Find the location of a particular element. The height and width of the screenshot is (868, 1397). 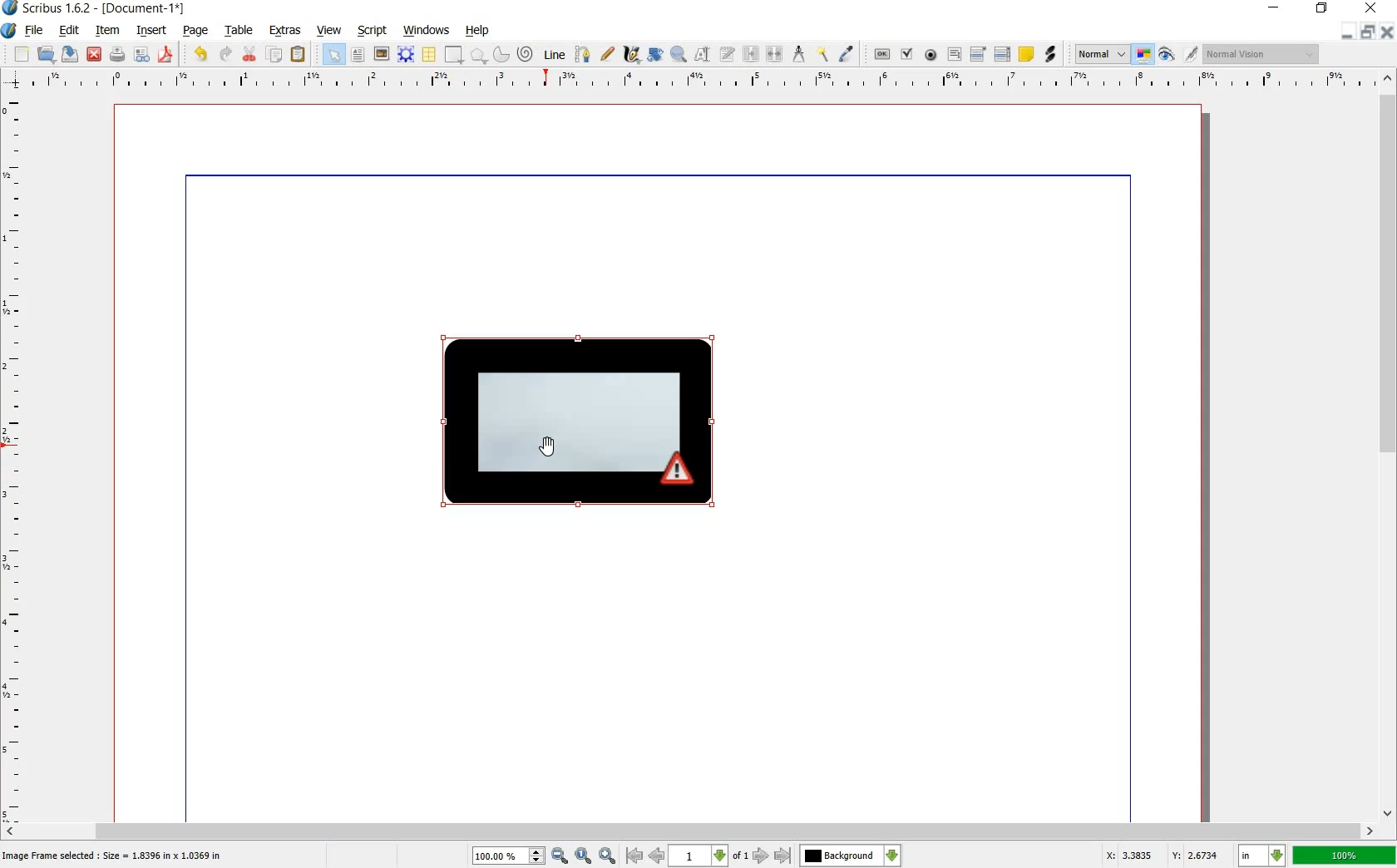

Cursor is located at coordinates (545, 449).